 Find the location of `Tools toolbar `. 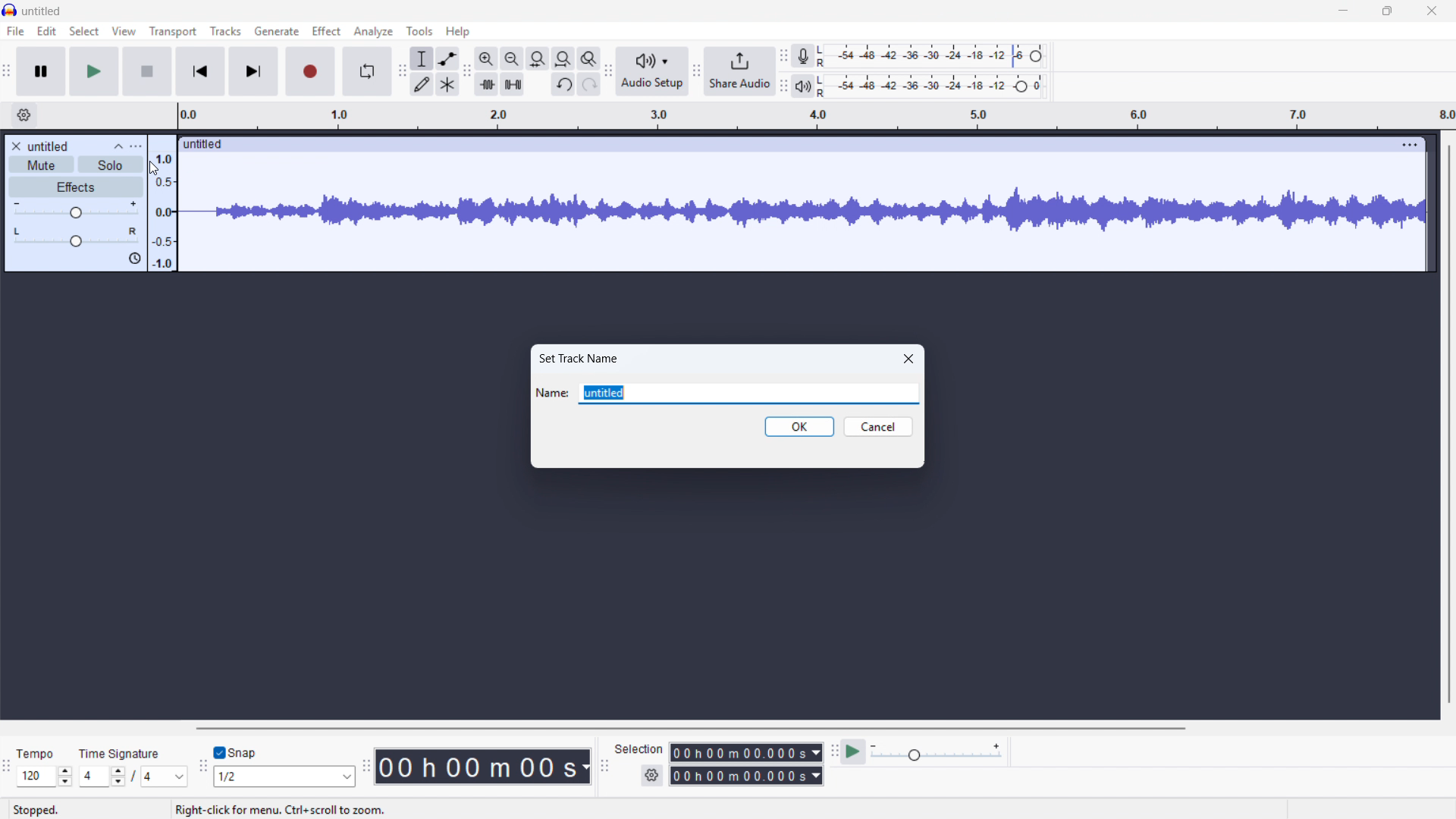

Tools toolbar  is located at coordinates (400, 71).